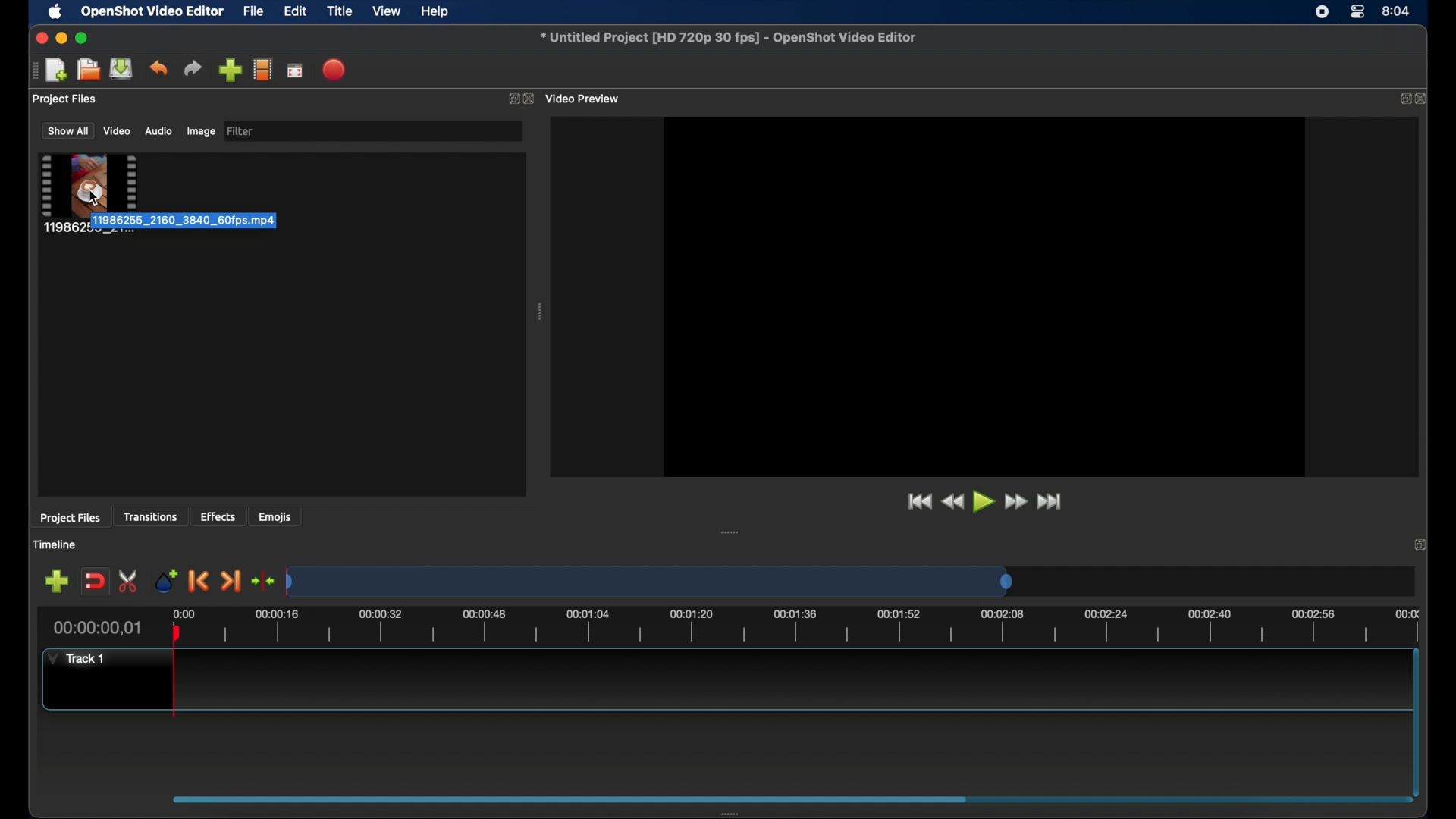  What do you see at coordinates (200, 131) in the screenshot?
I see `image` at bounding box center [200, 131].